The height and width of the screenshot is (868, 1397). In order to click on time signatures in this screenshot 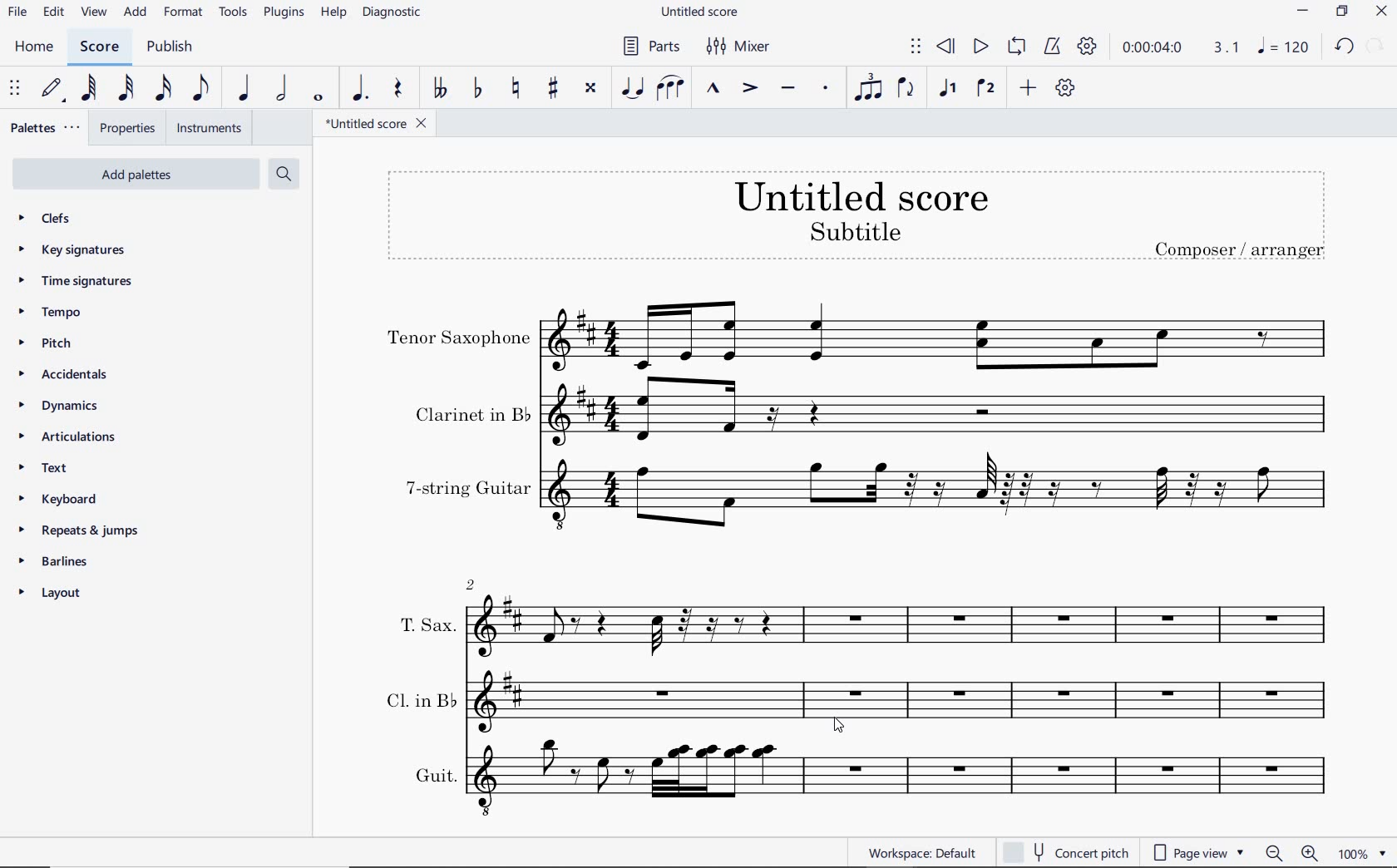, I will do `click(77, 283)`.